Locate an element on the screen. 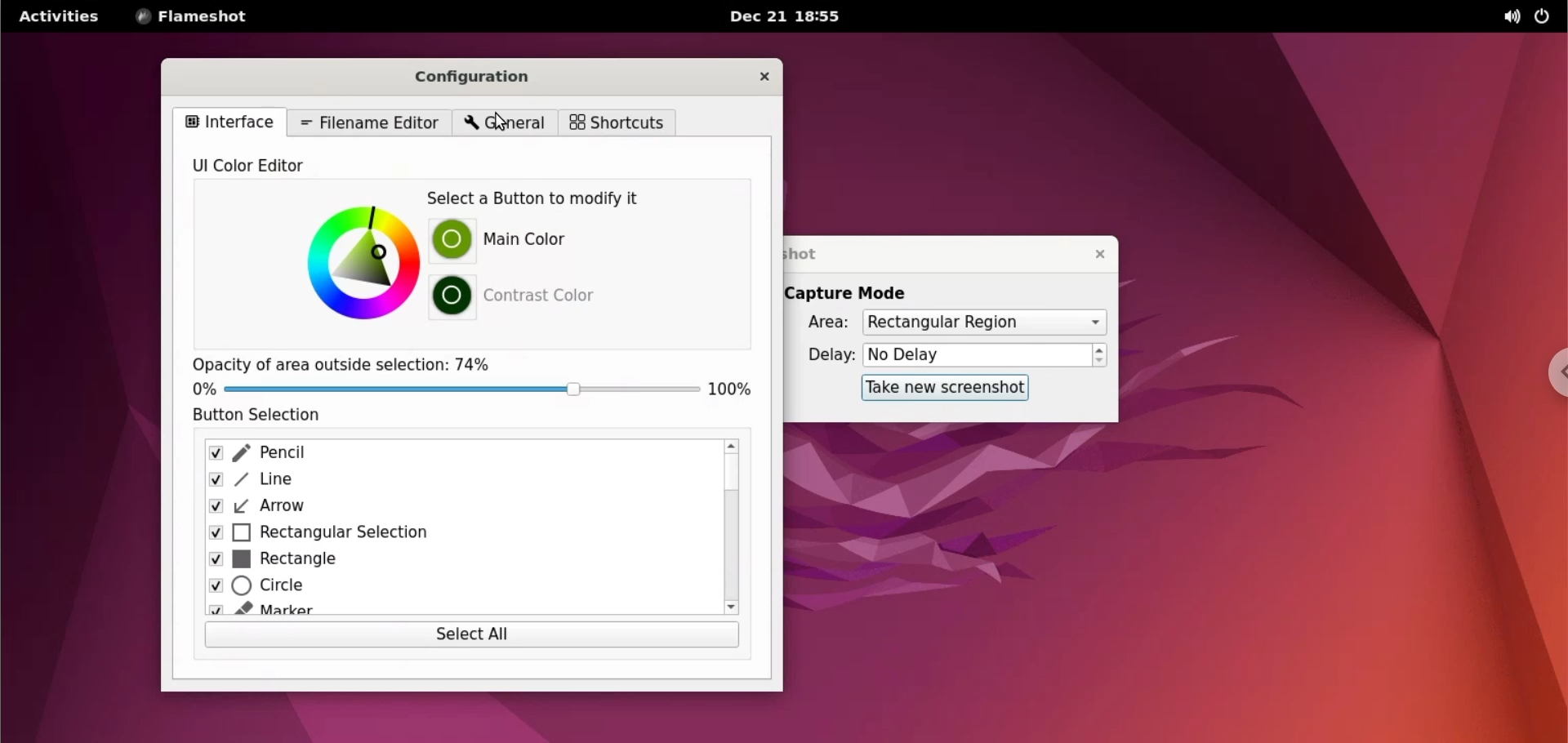 Image resolution: width=1568 pixels, height=743 pixels. power options is located at coordinates (1543, 17).